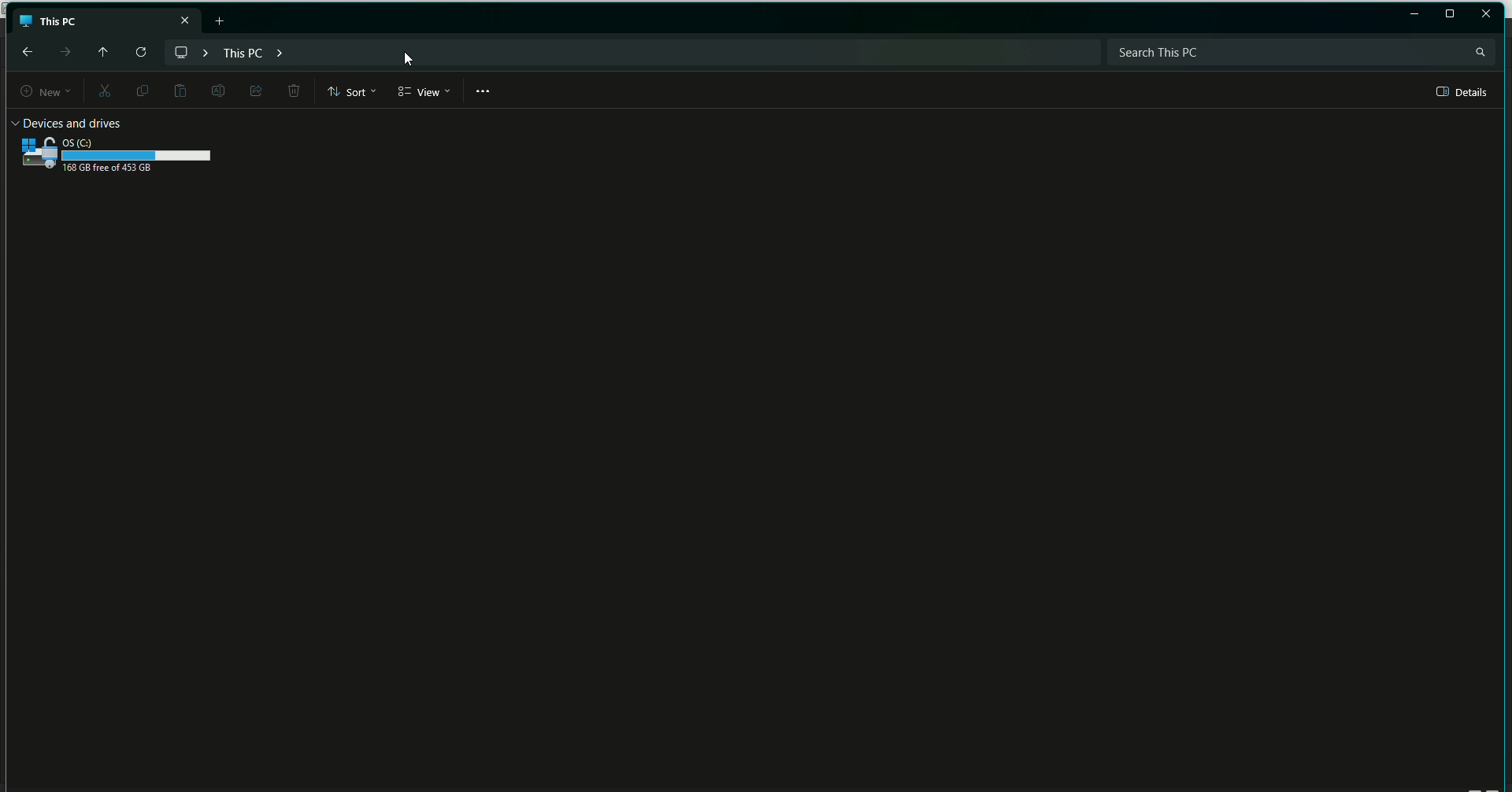 This screenshot has width=1512, height=792. What do you see at coordinates (1414, 15) in the screenshot?
I see `Restore` at bounding box center [1414, 15].